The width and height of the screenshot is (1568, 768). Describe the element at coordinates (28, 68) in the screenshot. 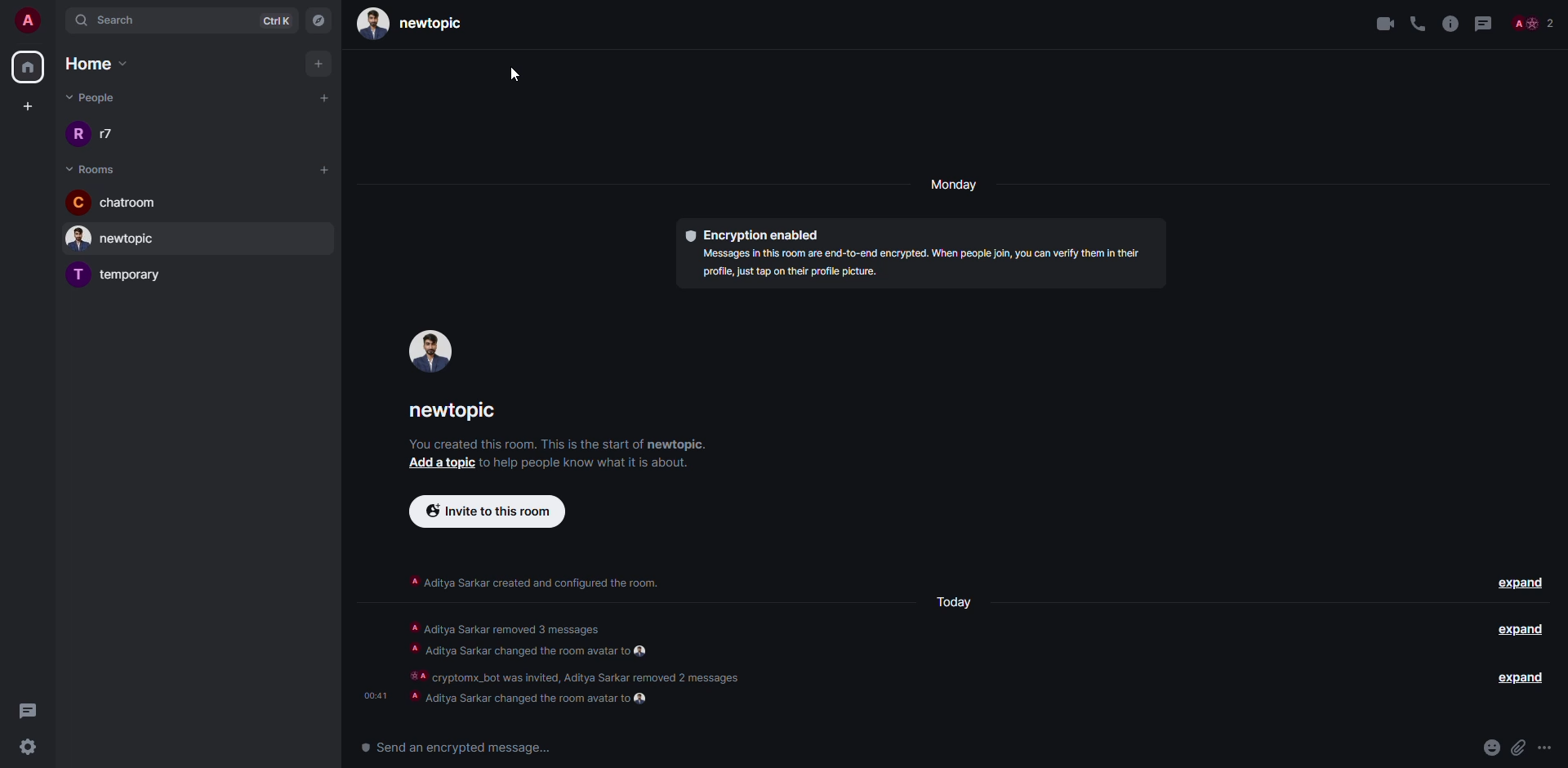

I see `home` at that location.